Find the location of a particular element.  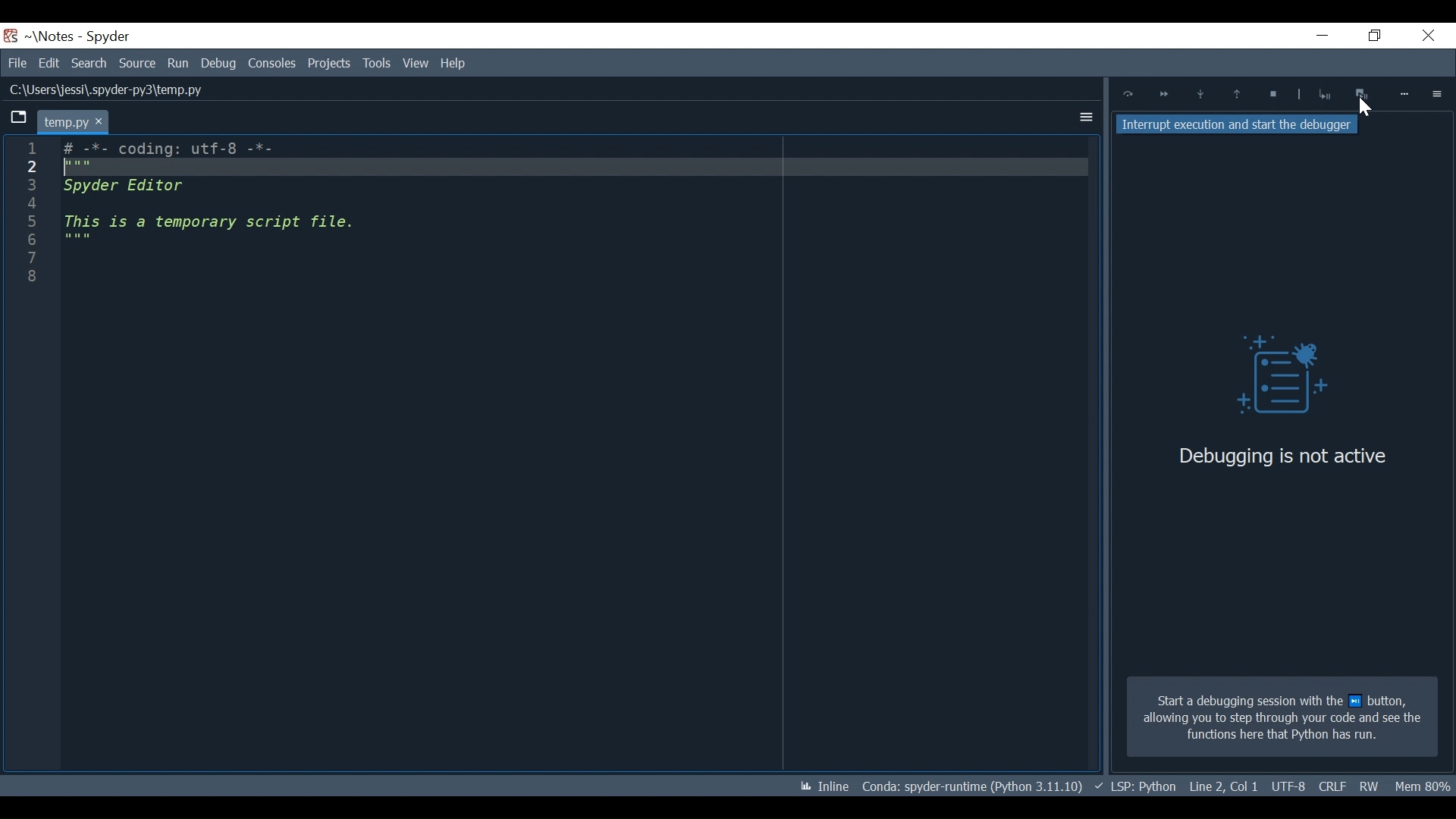

Cursor is located at coordinates (1365, 107).